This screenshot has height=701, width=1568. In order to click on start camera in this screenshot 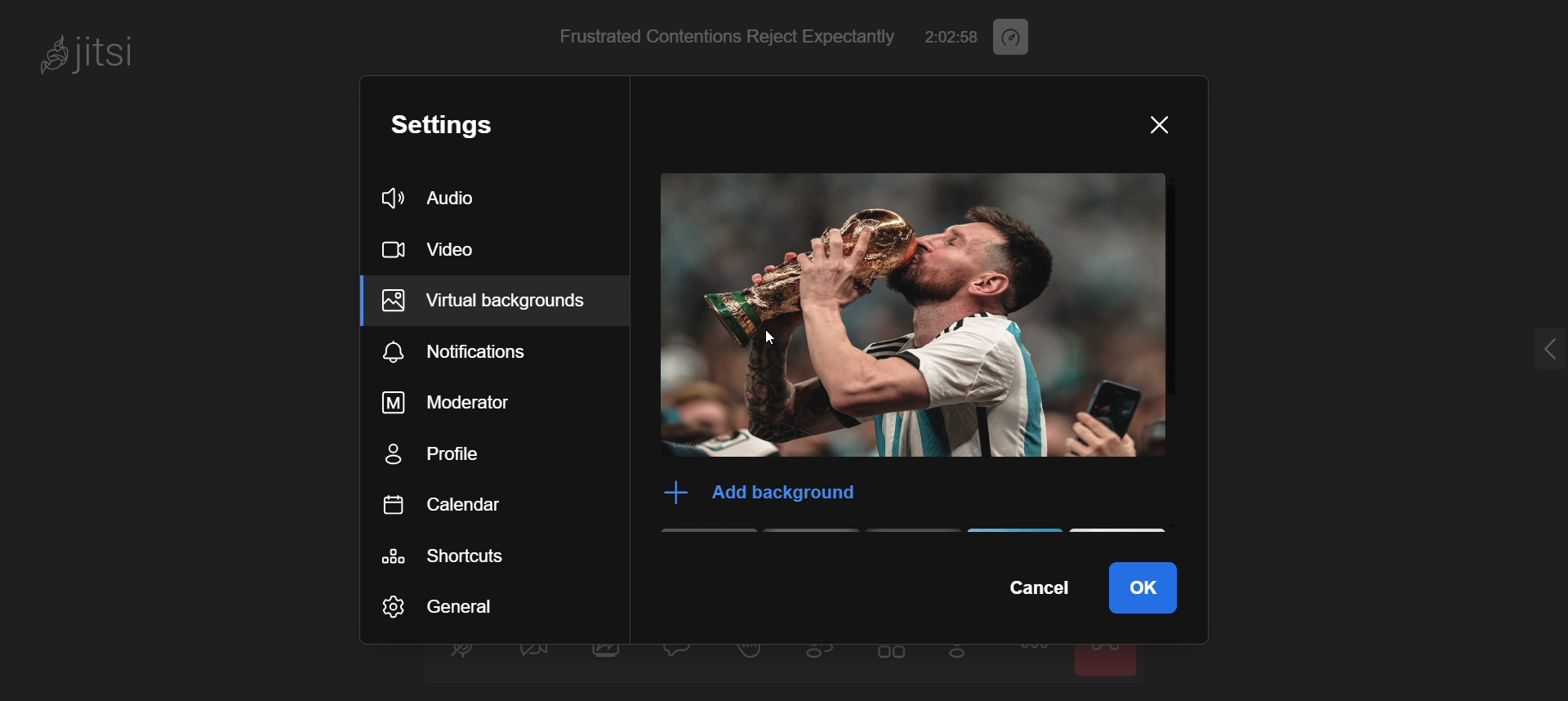, I will do `click(532, 656)`.